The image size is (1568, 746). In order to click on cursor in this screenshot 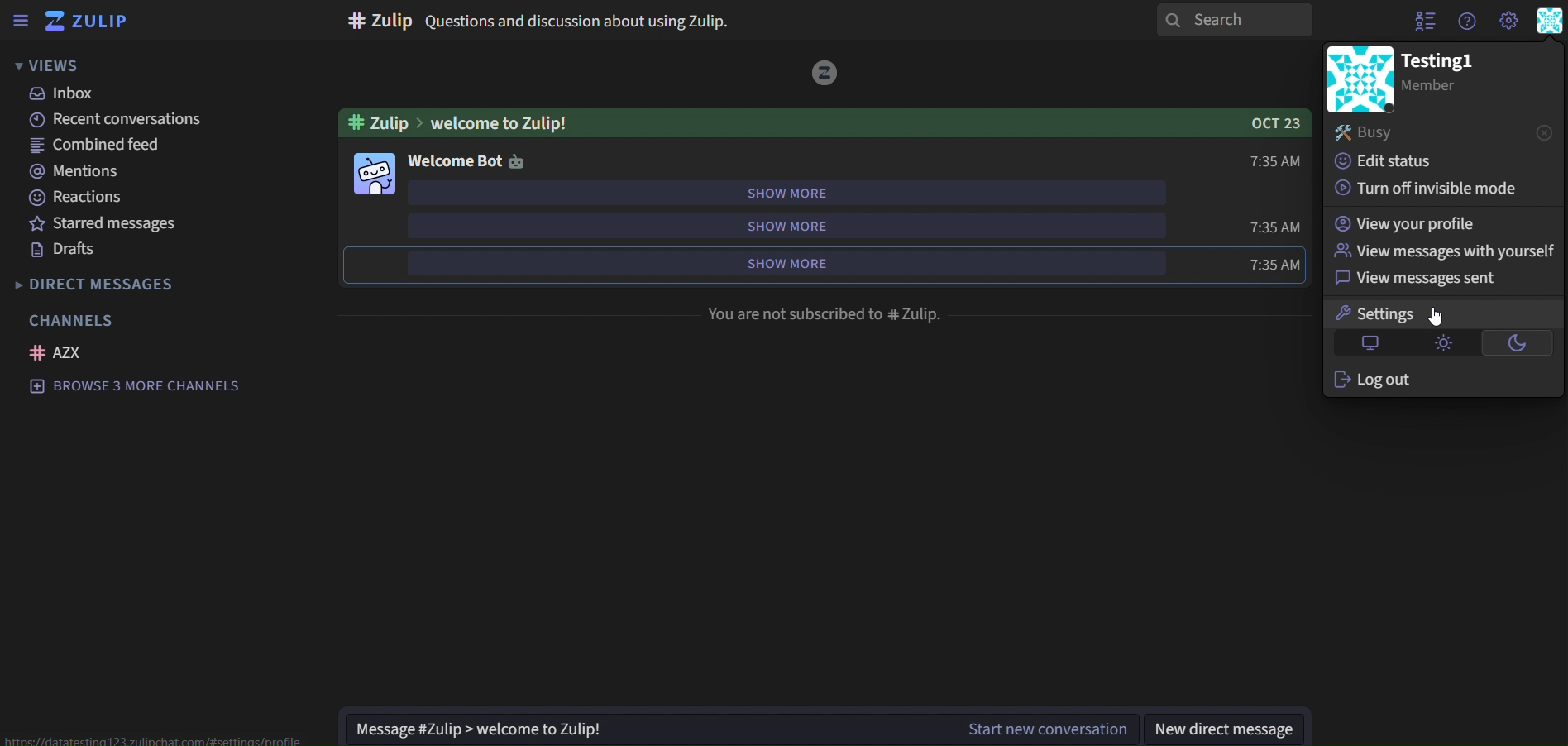, I will do `click(1437, 318)`.